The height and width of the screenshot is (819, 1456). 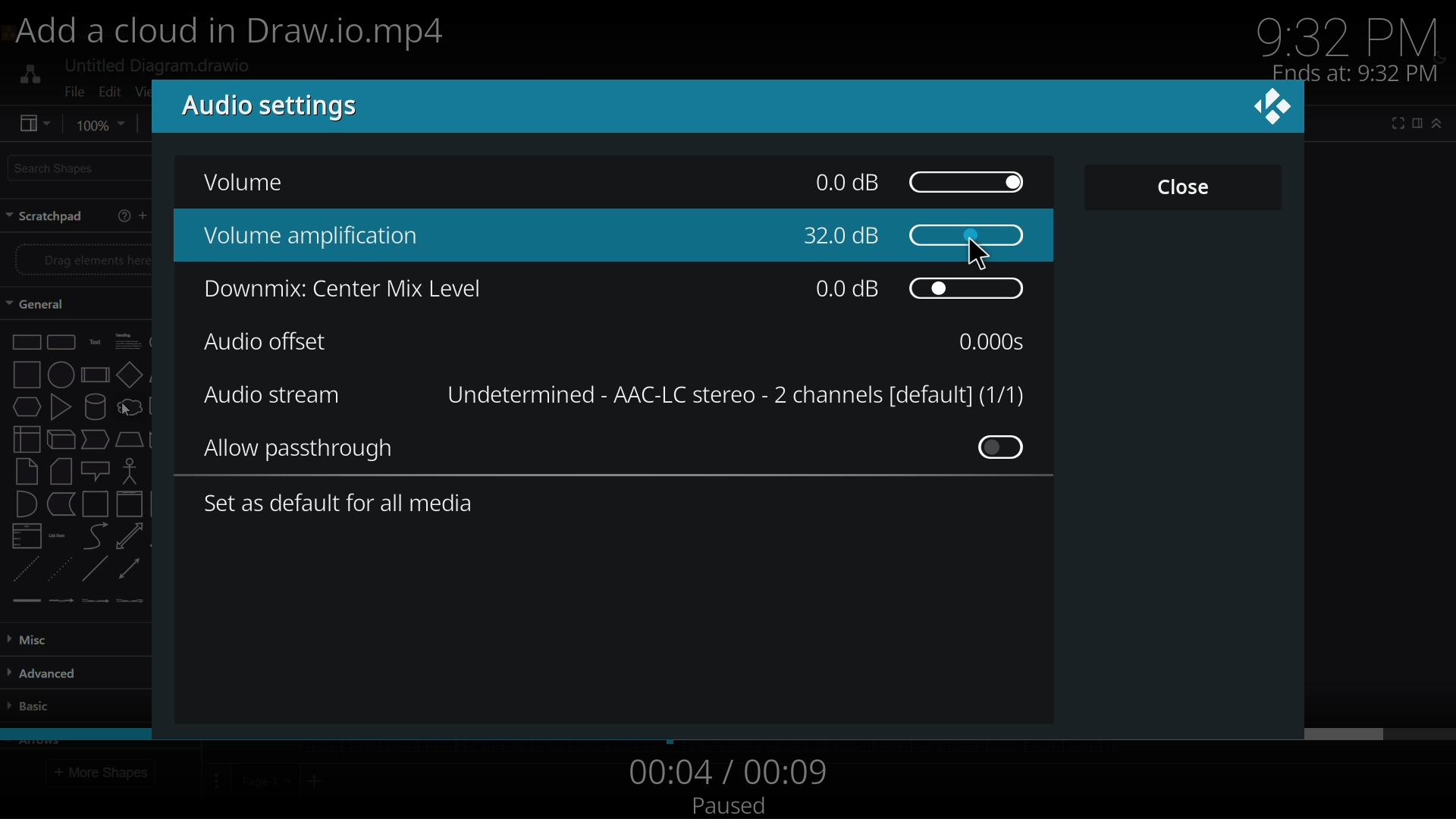 I want to click on Volume 0.0dB, so click(x=623, y=184).